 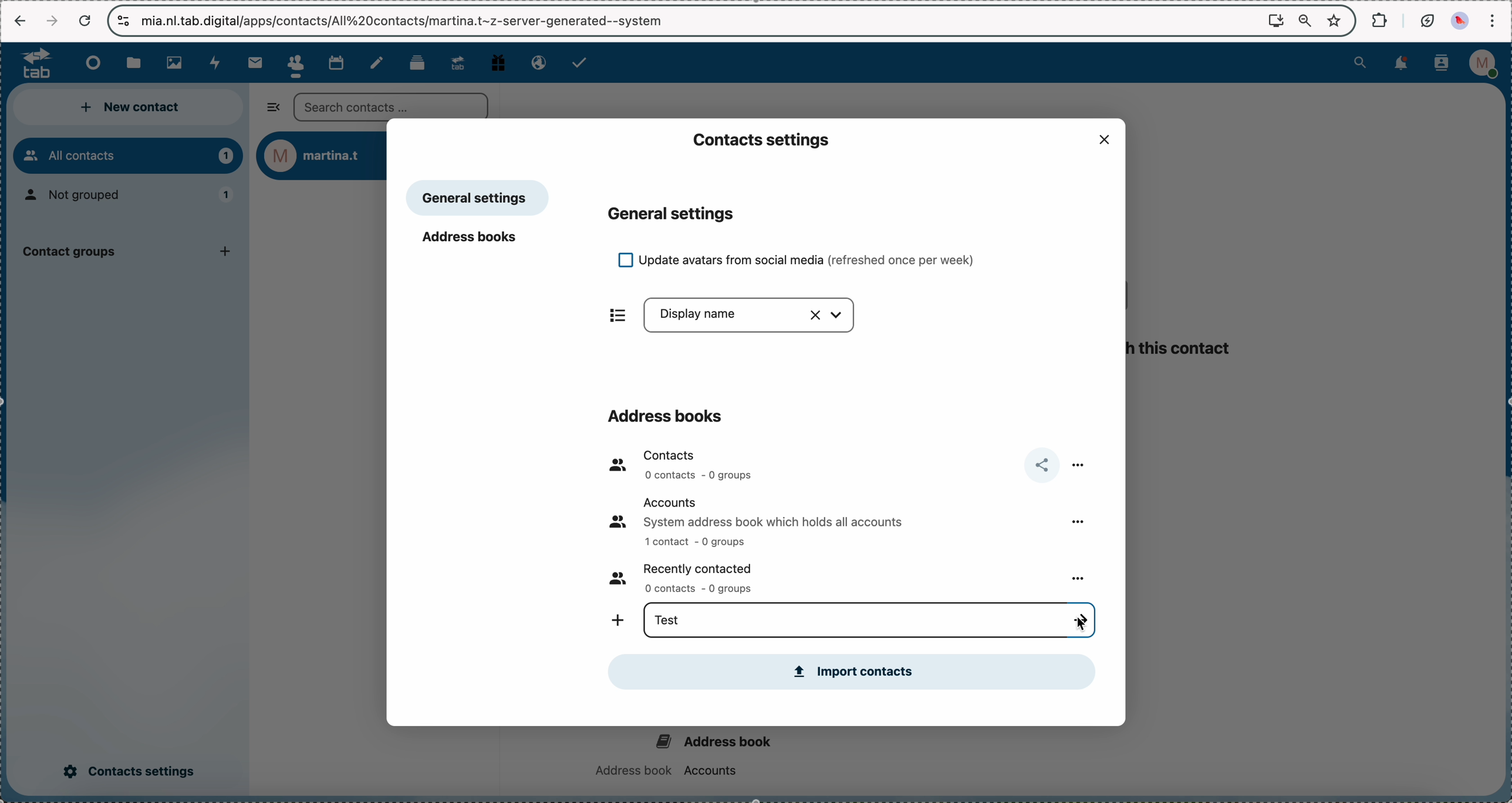 What do you see at coordinates (335, 62) in the screenshot?
I see `calendar` at bounding box center [335, 62].